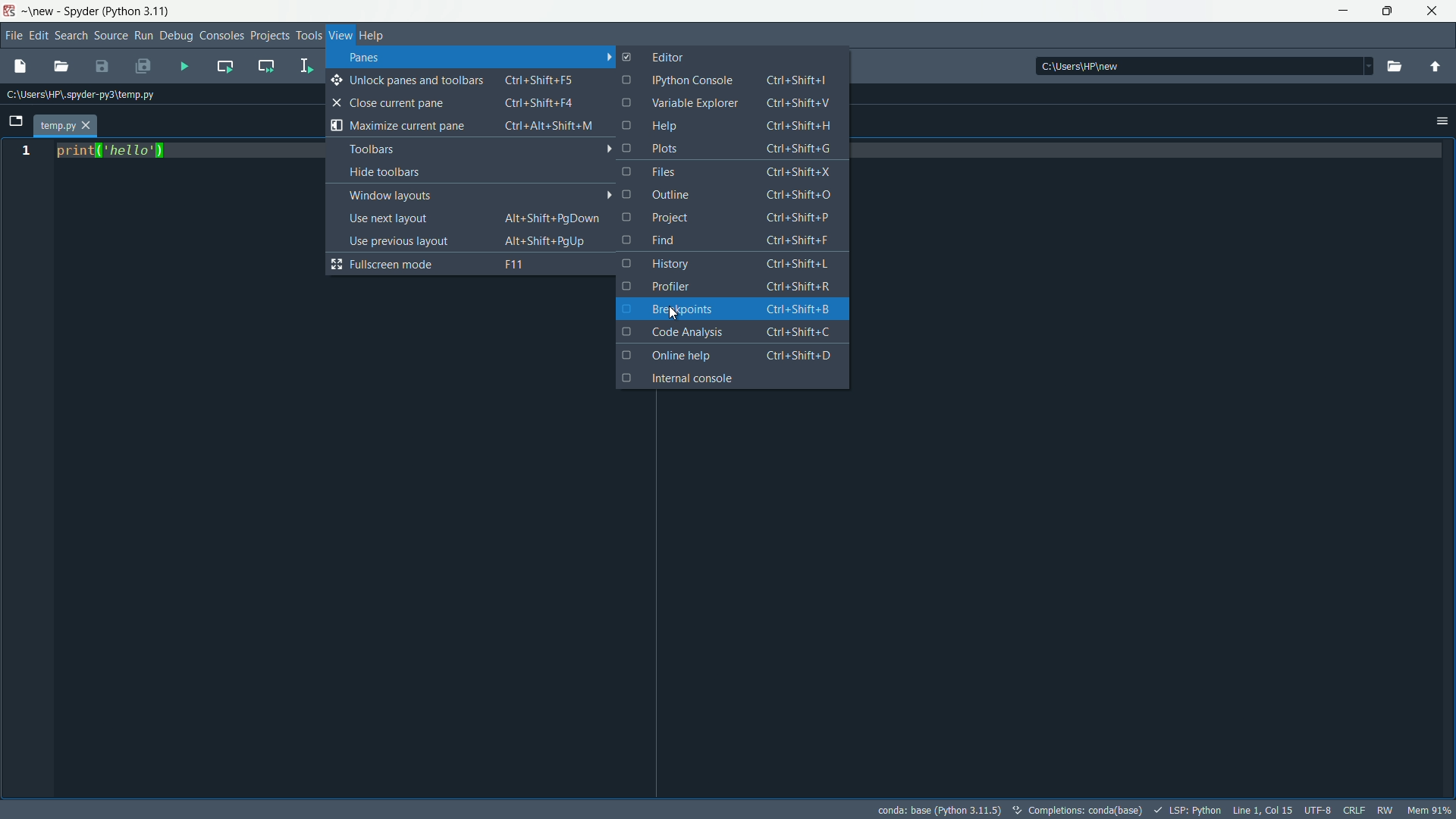 The height and width of the screenshot is (819, 1456). I want to click on minimize, so click(1347, 11).